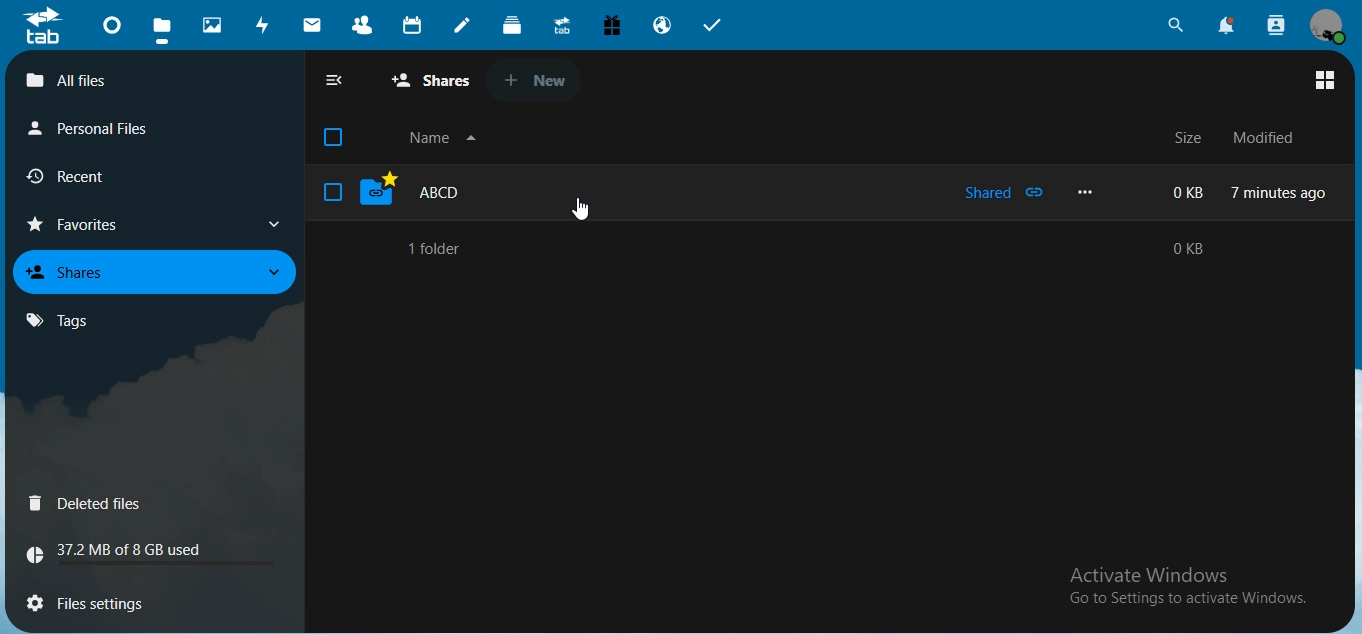 Image resolution: width=1362 pixels, height=634 pixels. Describe the element at coordinates (1266, 138) in the screenshot. I see `modified` at that location.